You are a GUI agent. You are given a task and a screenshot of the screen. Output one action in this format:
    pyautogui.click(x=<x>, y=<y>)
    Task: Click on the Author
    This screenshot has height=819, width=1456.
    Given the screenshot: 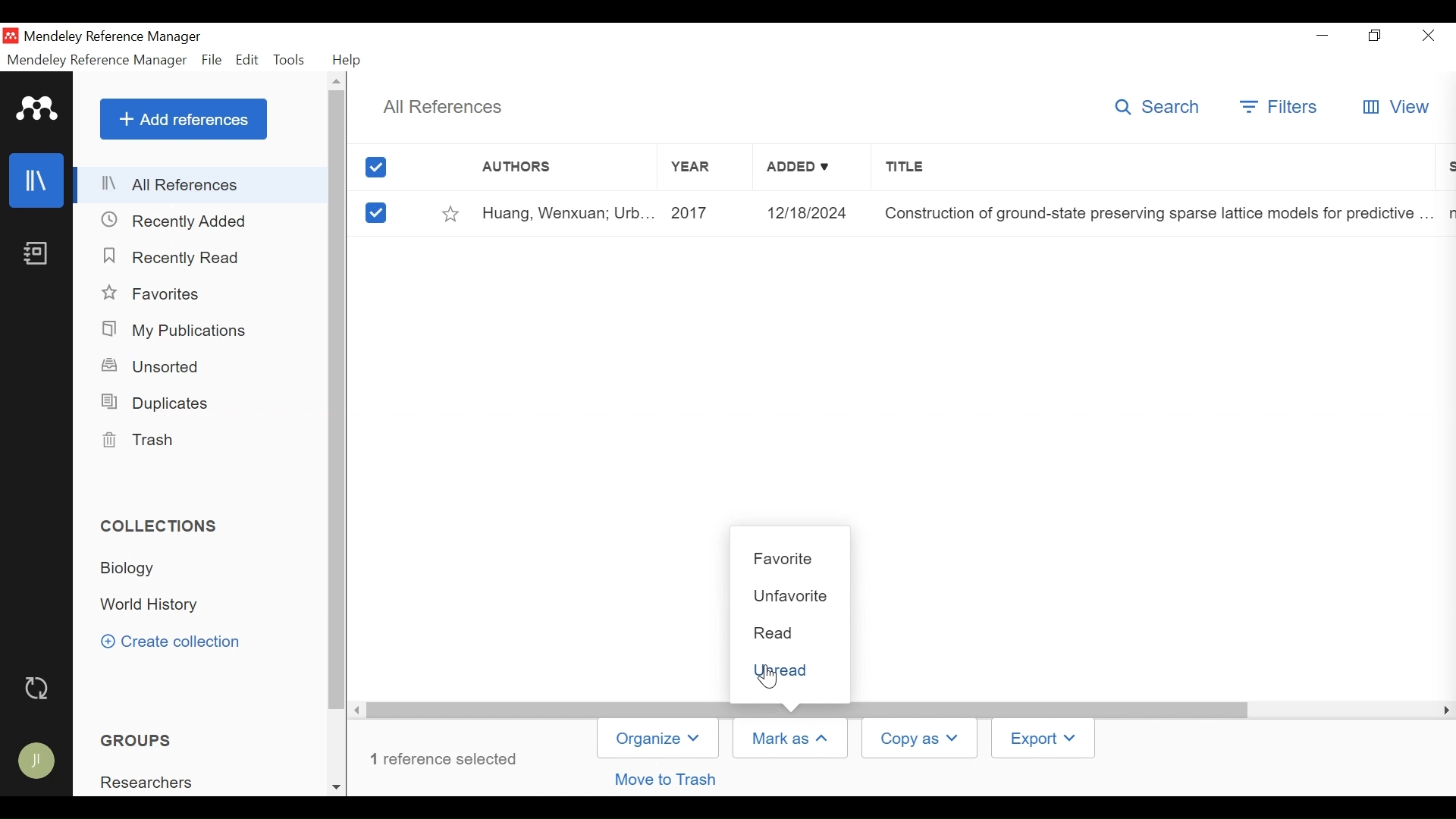 What is the action you would take?
    pyautogui.click(x=568, y=215)
    